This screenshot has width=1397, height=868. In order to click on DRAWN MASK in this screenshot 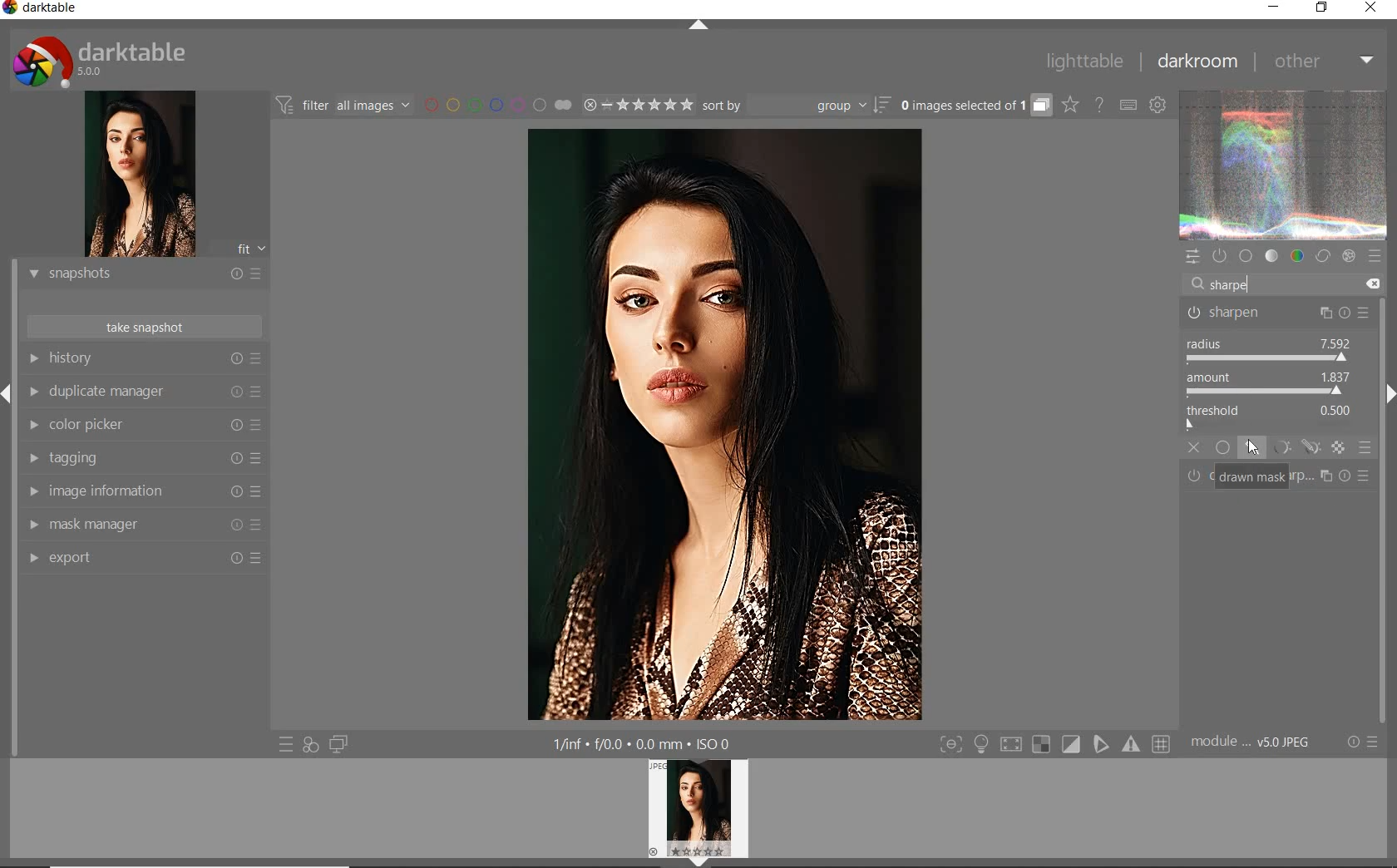, I will do `click(1254, 476)`.